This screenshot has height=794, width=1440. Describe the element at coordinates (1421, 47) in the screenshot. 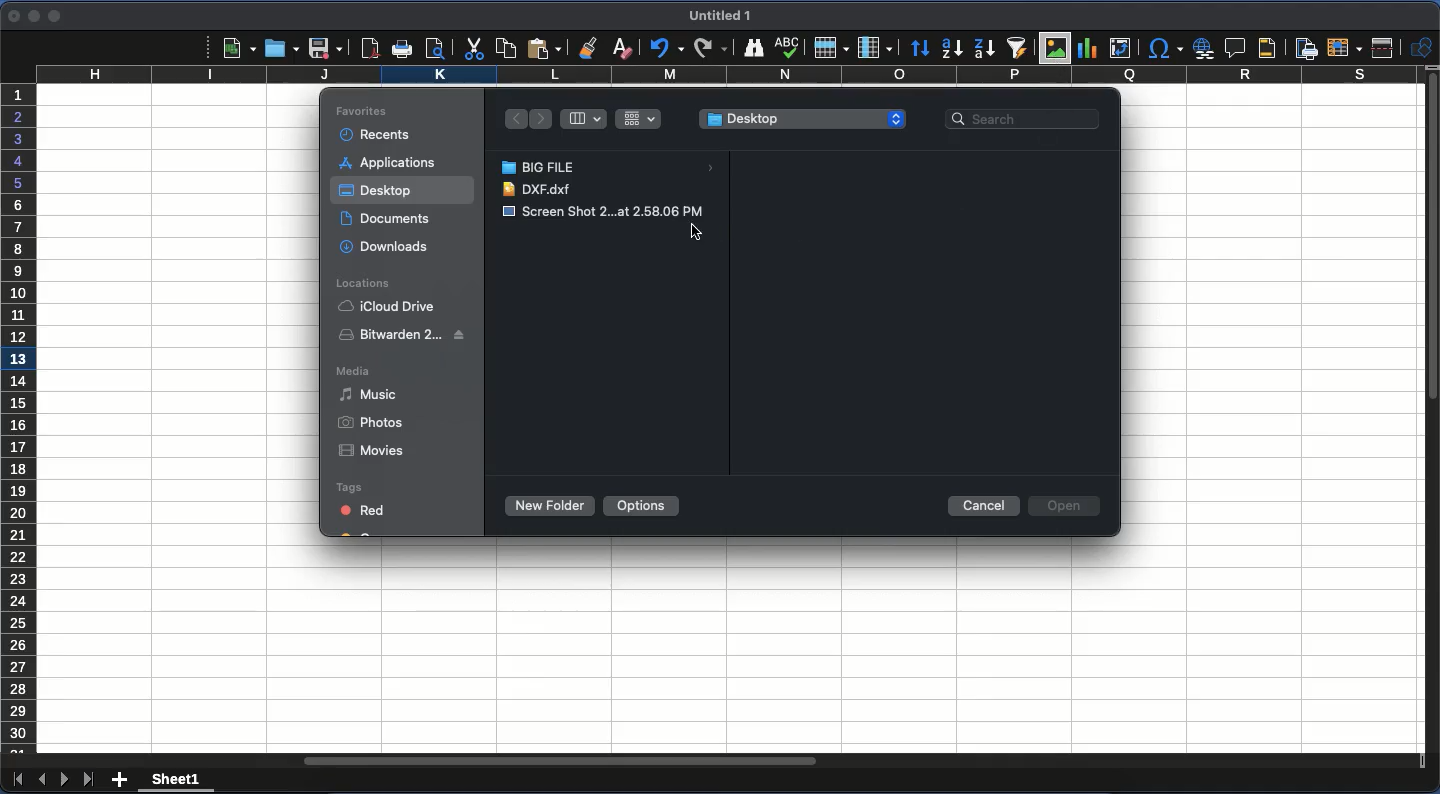

I see `show draw function` at that location.